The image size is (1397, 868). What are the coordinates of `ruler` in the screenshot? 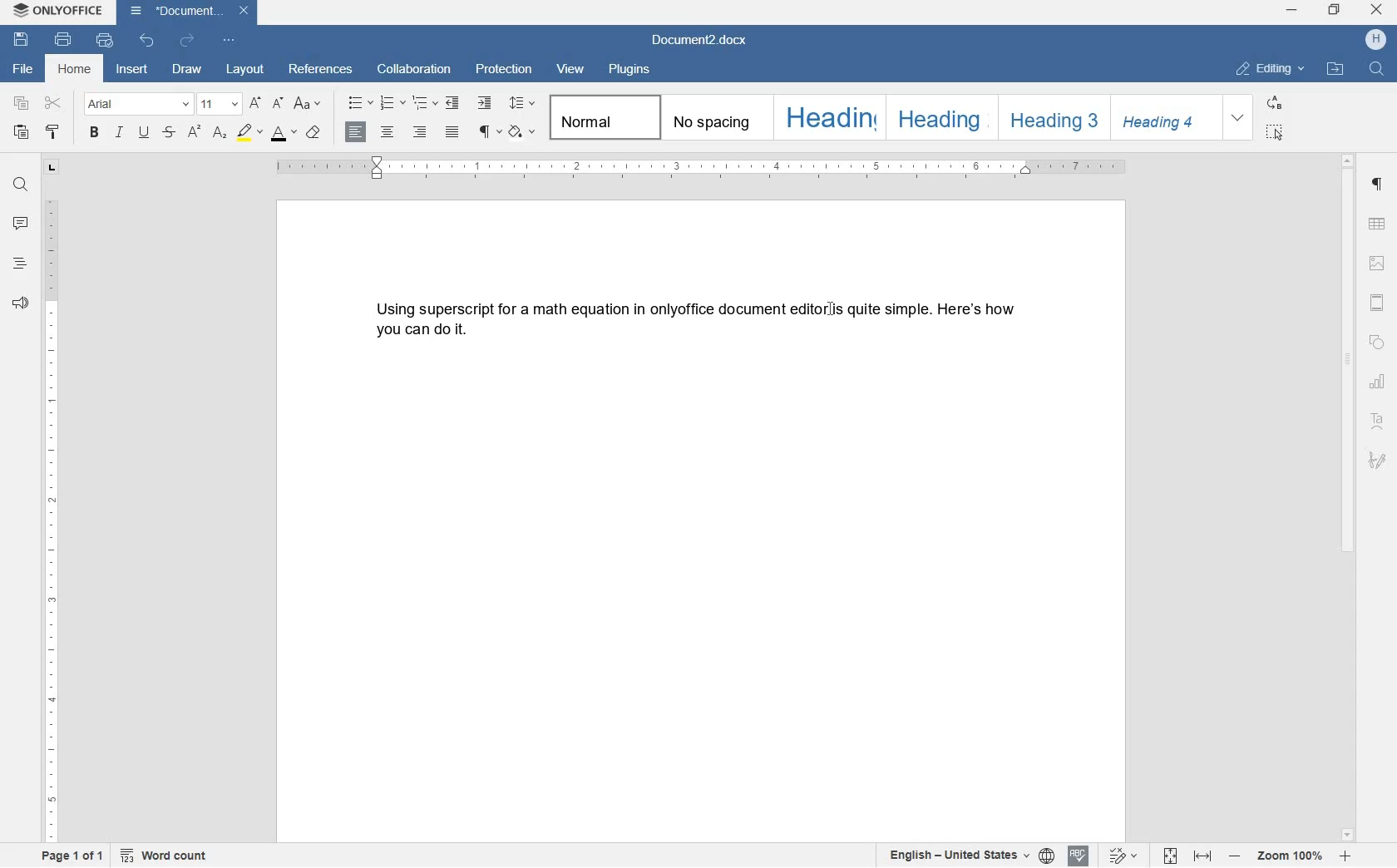 It's located at (52, 523).